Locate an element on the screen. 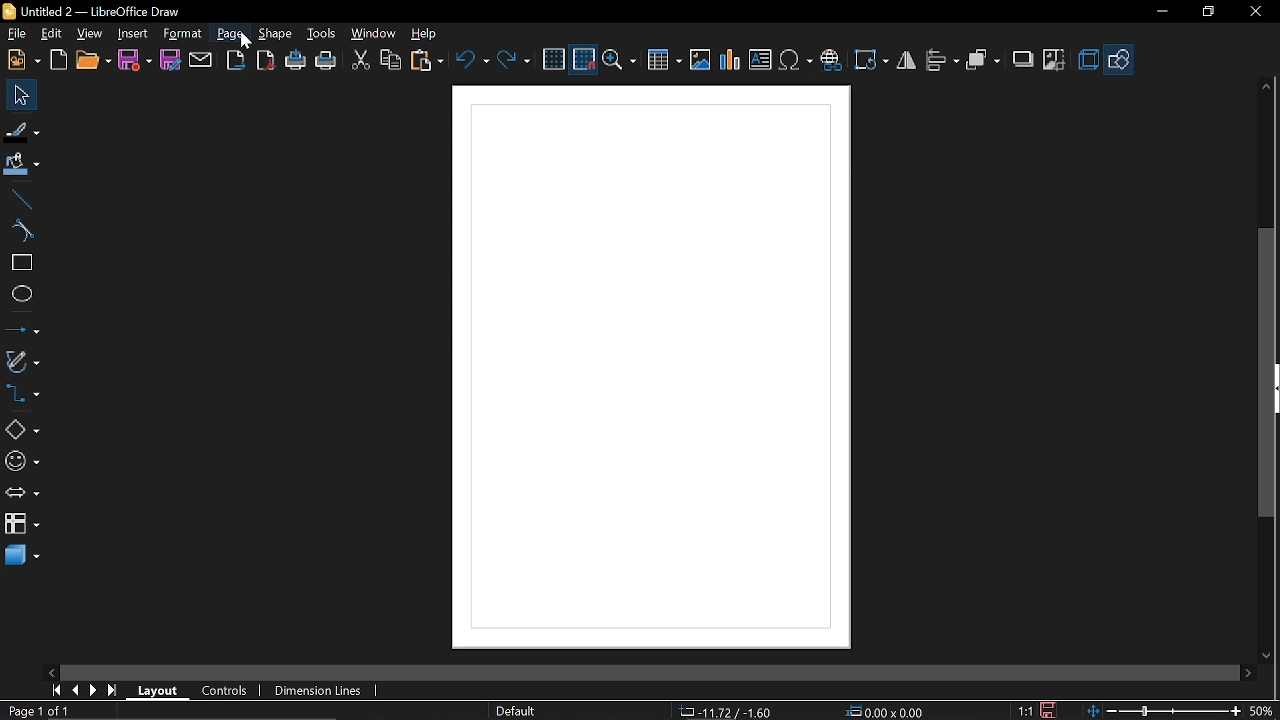  Crop is located at coordinates (1054, 61).